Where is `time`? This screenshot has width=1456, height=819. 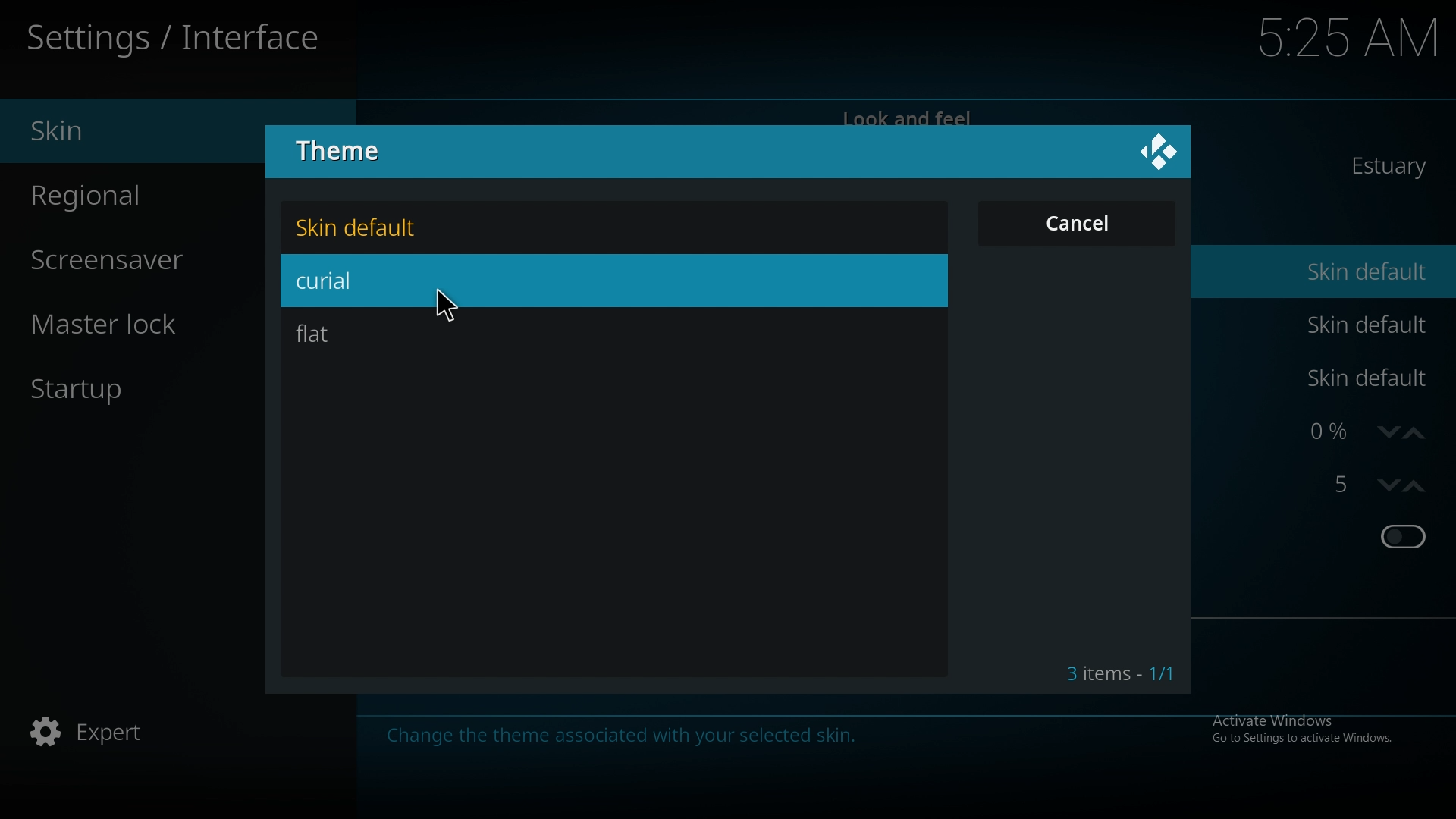
time is located at coordinates (1332, 37).